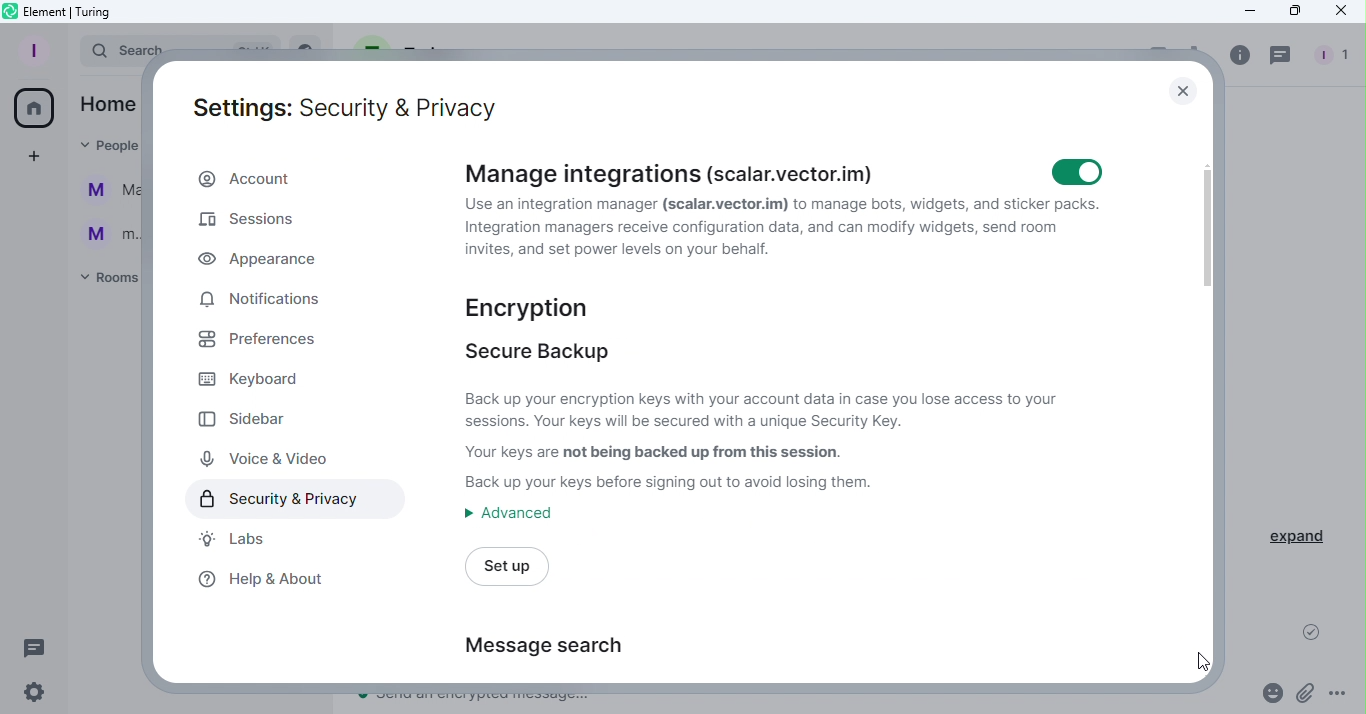 The width and height of the screenshot is (1366, 714). Describe the element at coordinates (262, 301) in the screenshot. I see `Notifications` at that location.